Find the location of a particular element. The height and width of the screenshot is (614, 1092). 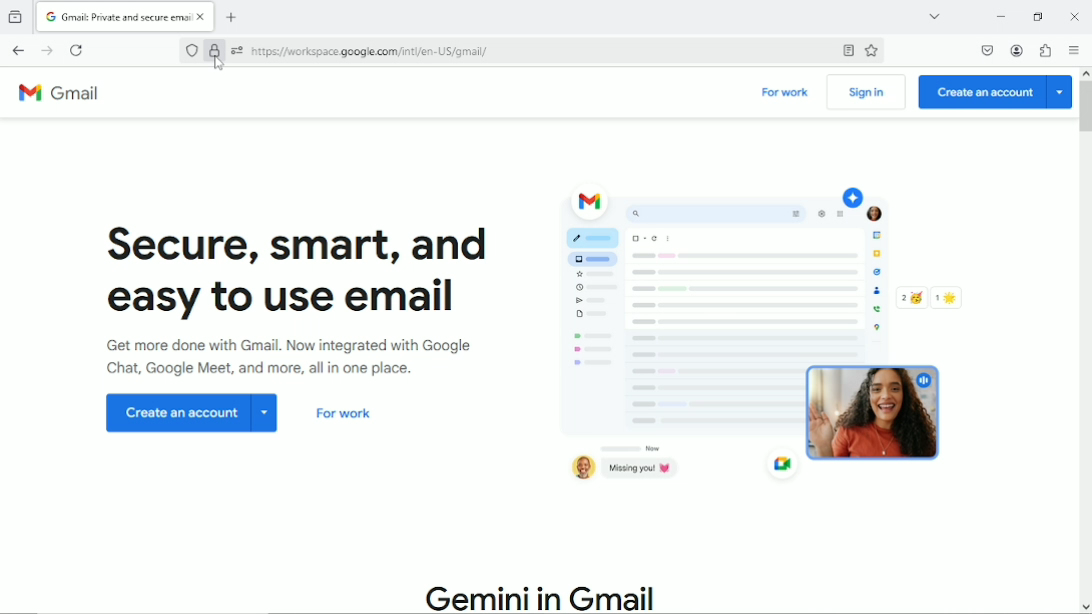

Go back is located at coordinates (18, 50).